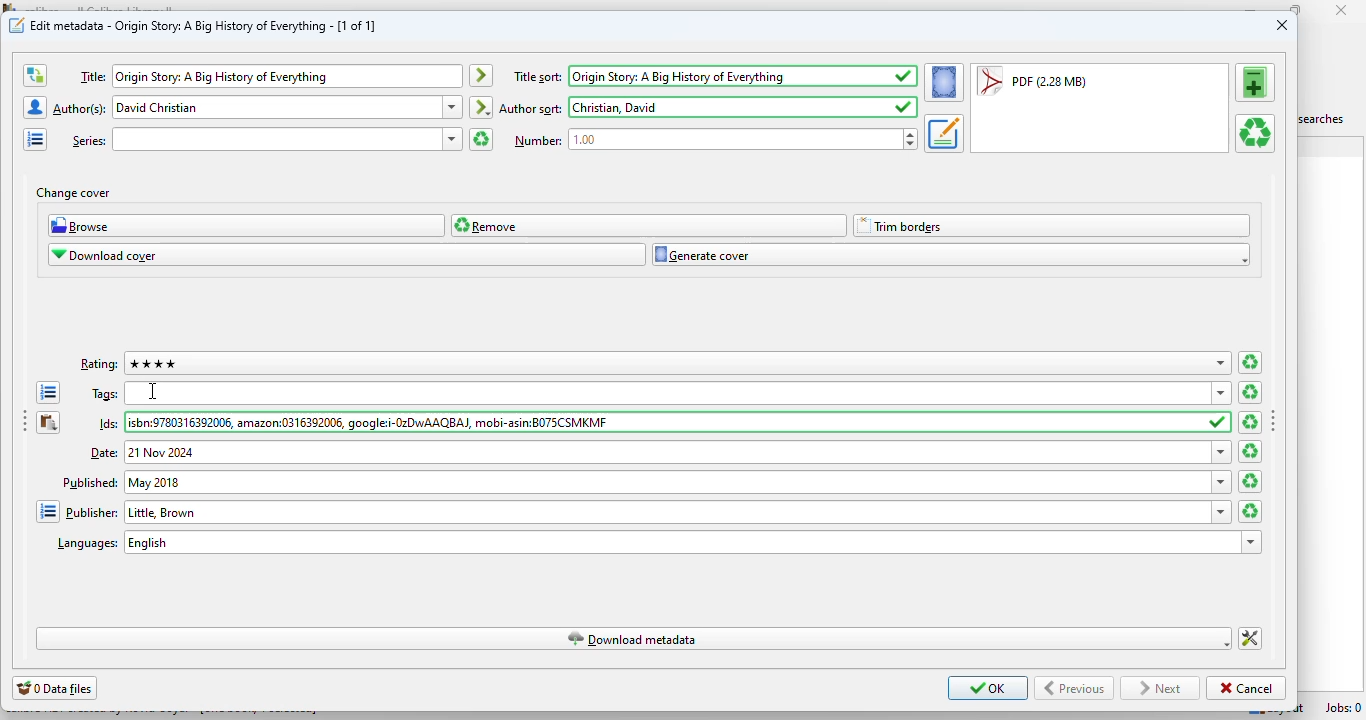  What do you see at coordinates (988, 688) in the screenshot?
I see `OK` at bounding box center [988, 688].